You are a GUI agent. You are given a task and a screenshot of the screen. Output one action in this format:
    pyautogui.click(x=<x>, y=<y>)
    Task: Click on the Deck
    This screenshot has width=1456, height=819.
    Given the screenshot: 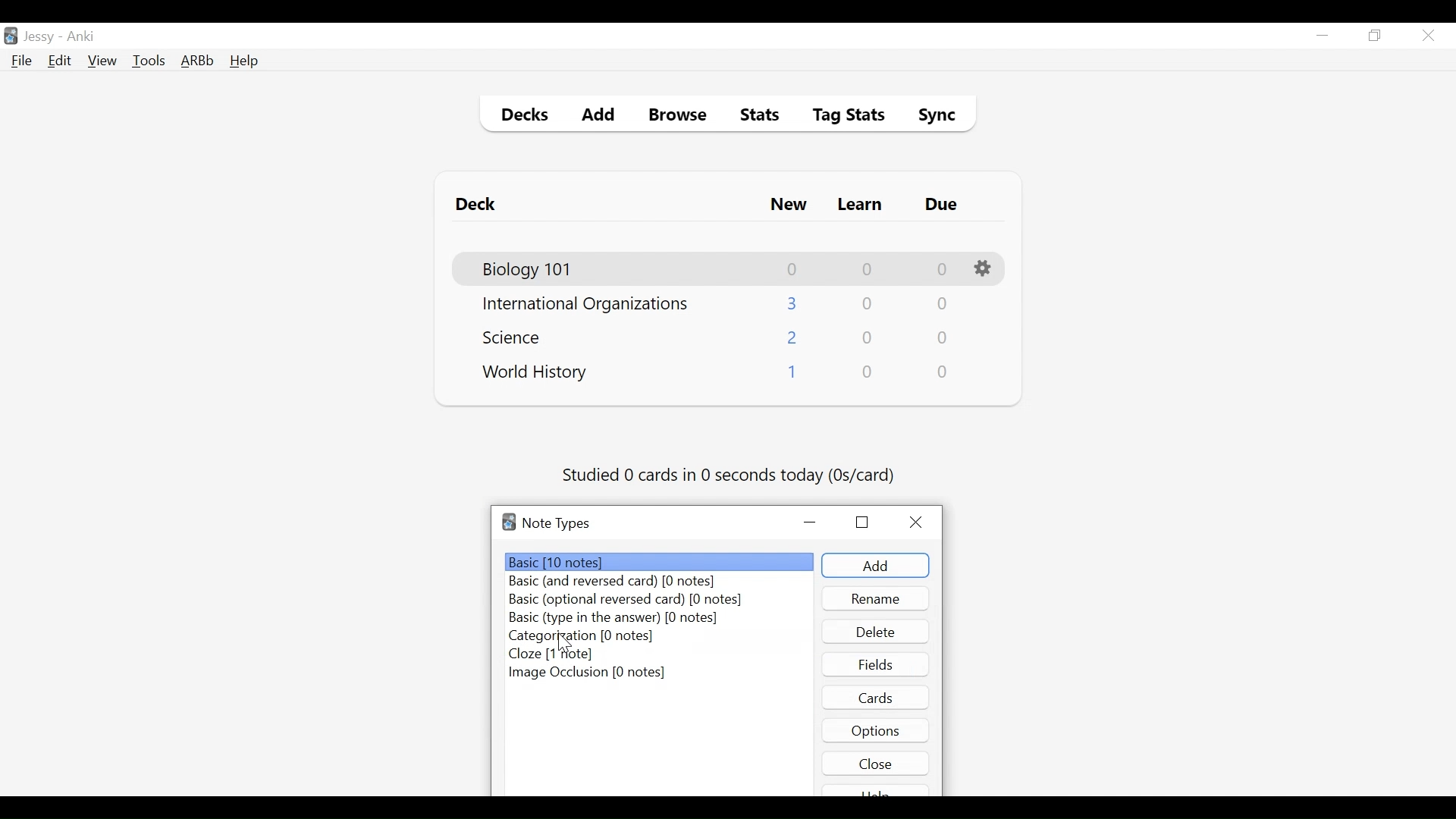 What is the action you would take?
    pyautogui.click(x=479, y=205)
    